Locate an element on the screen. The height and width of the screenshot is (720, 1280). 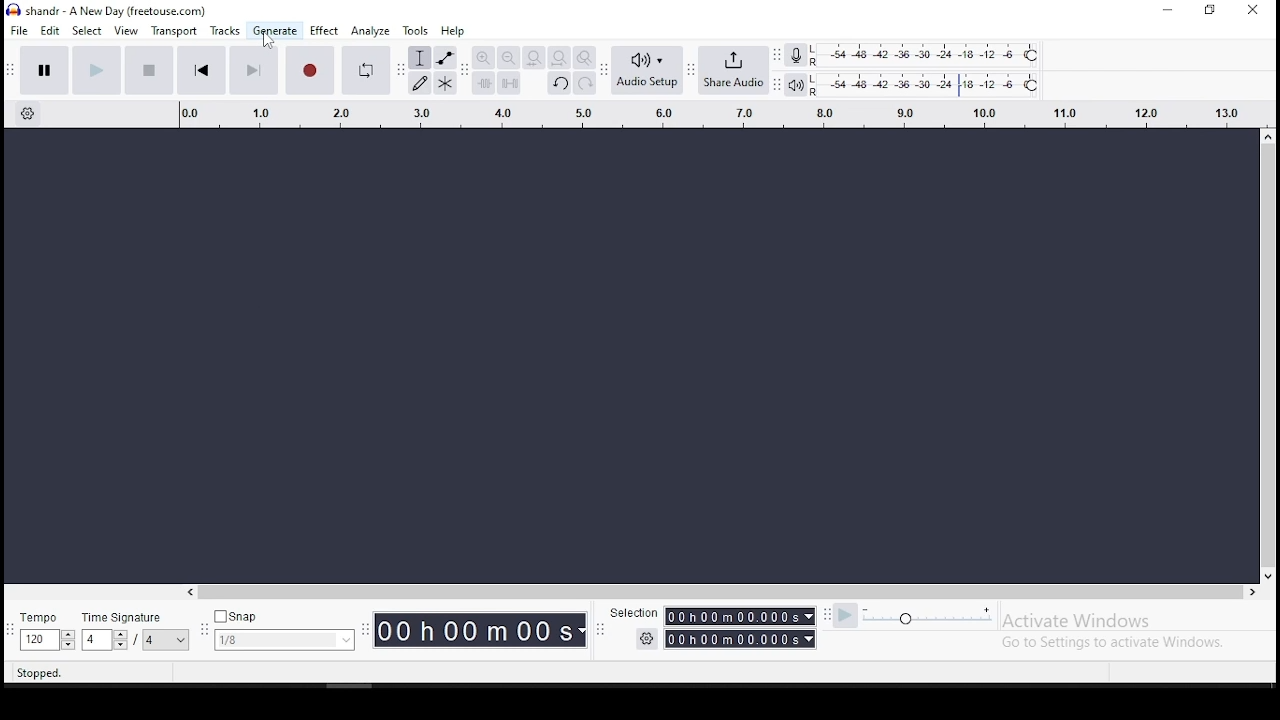
record meter is located at coordinates (795, 56).